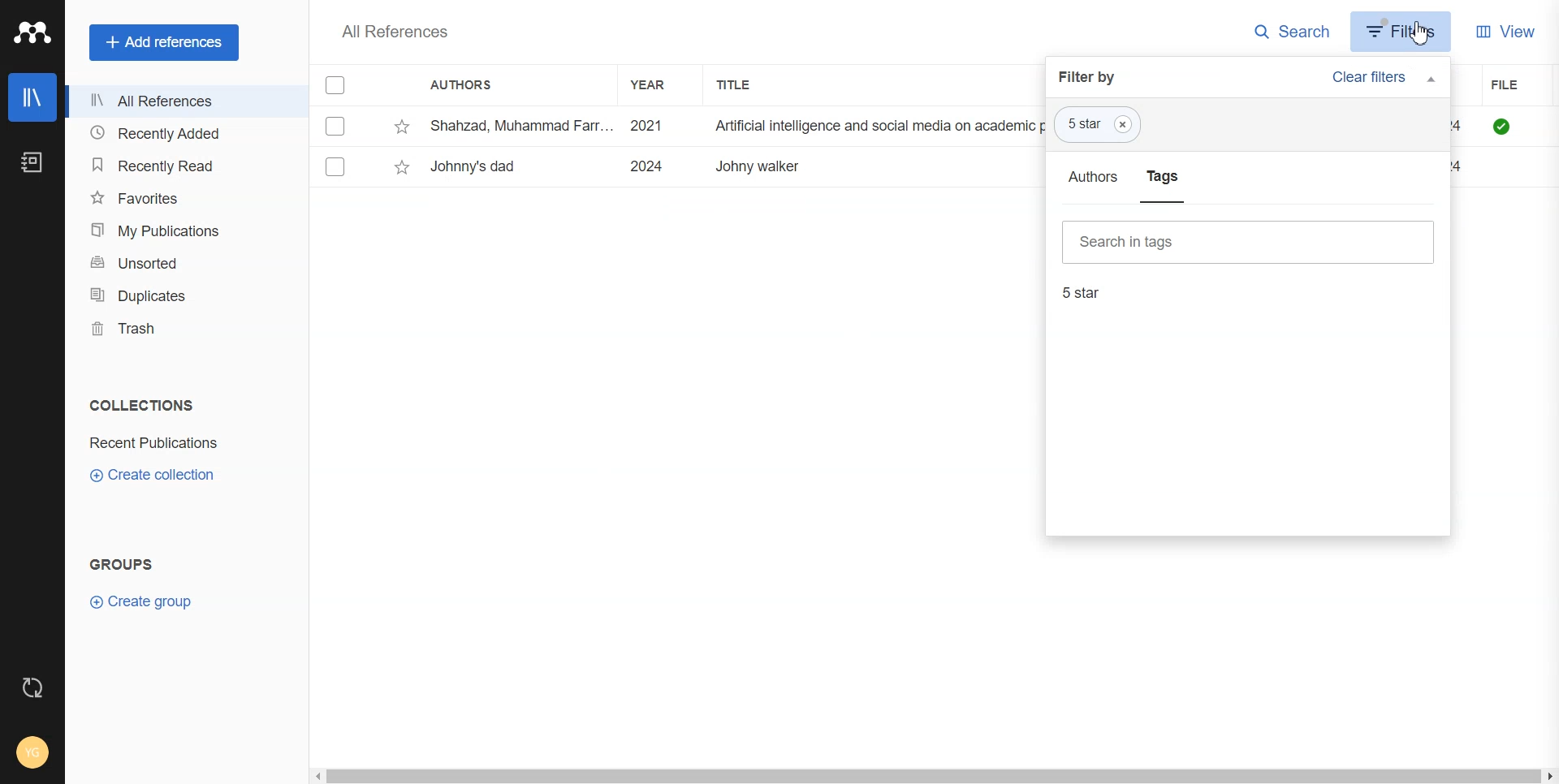  I want to click on Recently Added, so click(181, 134).